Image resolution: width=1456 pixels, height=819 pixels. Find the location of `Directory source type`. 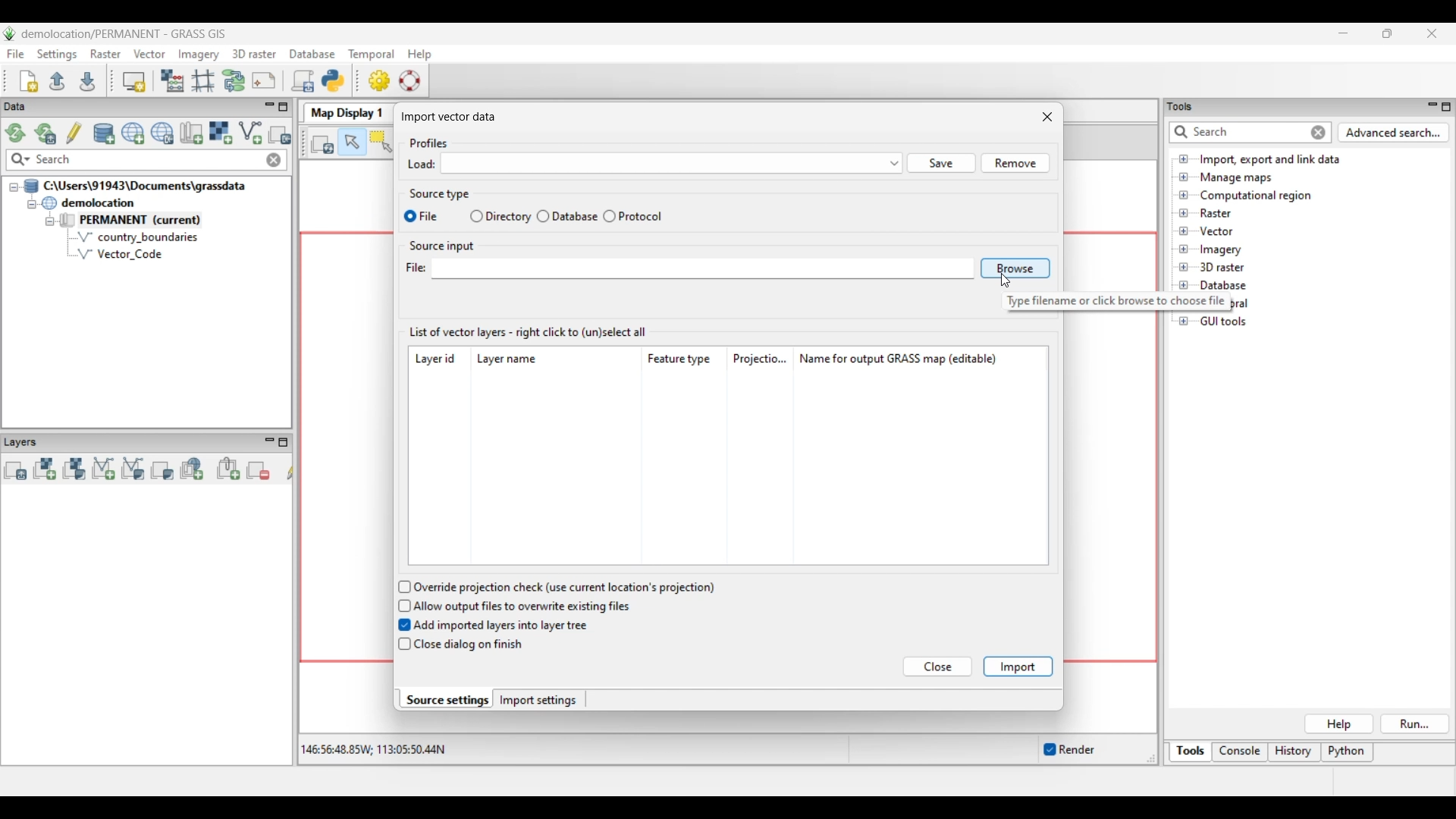

Directory source type is located at coordinates (508, 217).